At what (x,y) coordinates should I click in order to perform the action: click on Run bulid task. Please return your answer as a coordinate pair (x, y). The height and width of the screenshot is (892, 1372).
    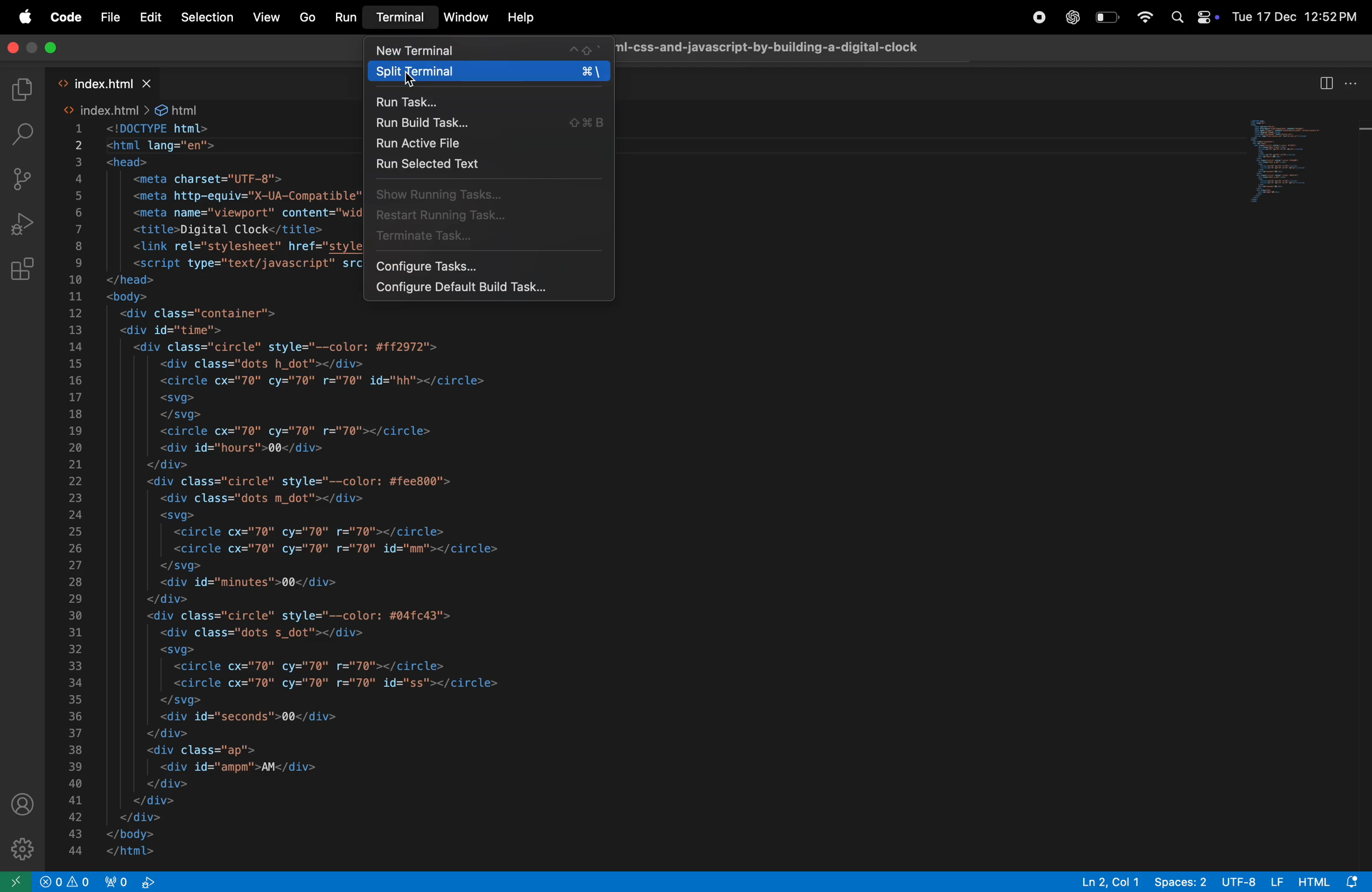
    Looking at the image, I should click on (487, 124).